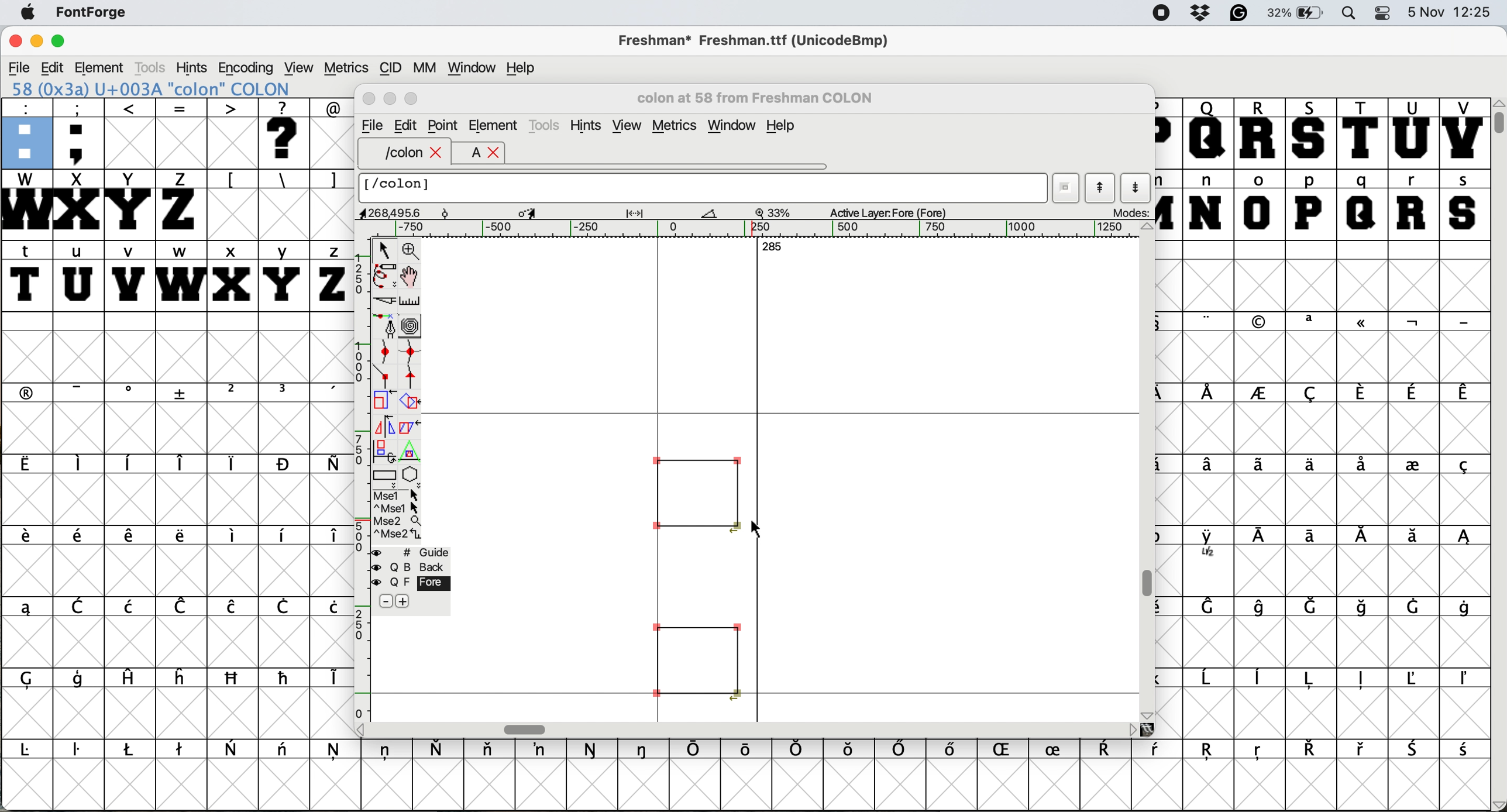  What do you see at coordinates (1312, 393) in the screenshot?
I see `symbol` at bounding box center [1312, 393].